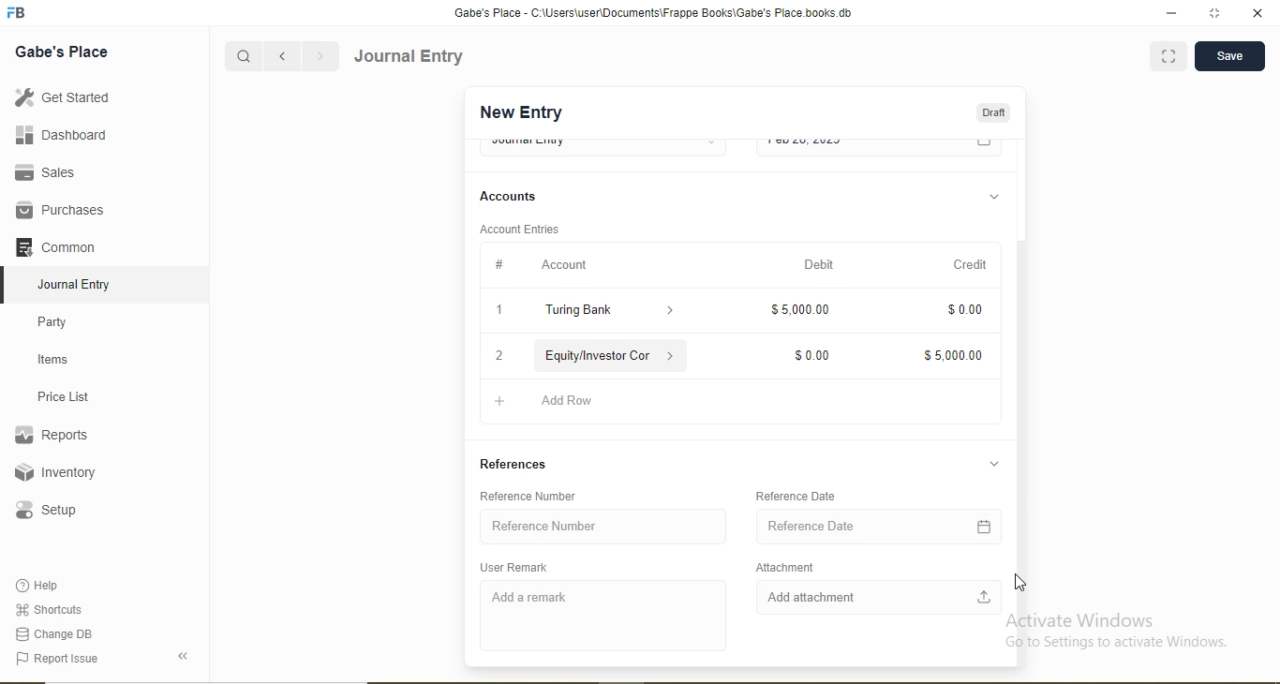  Describe the element at coordinates (53, 359) in the screenshot. I see `Items` at that location.